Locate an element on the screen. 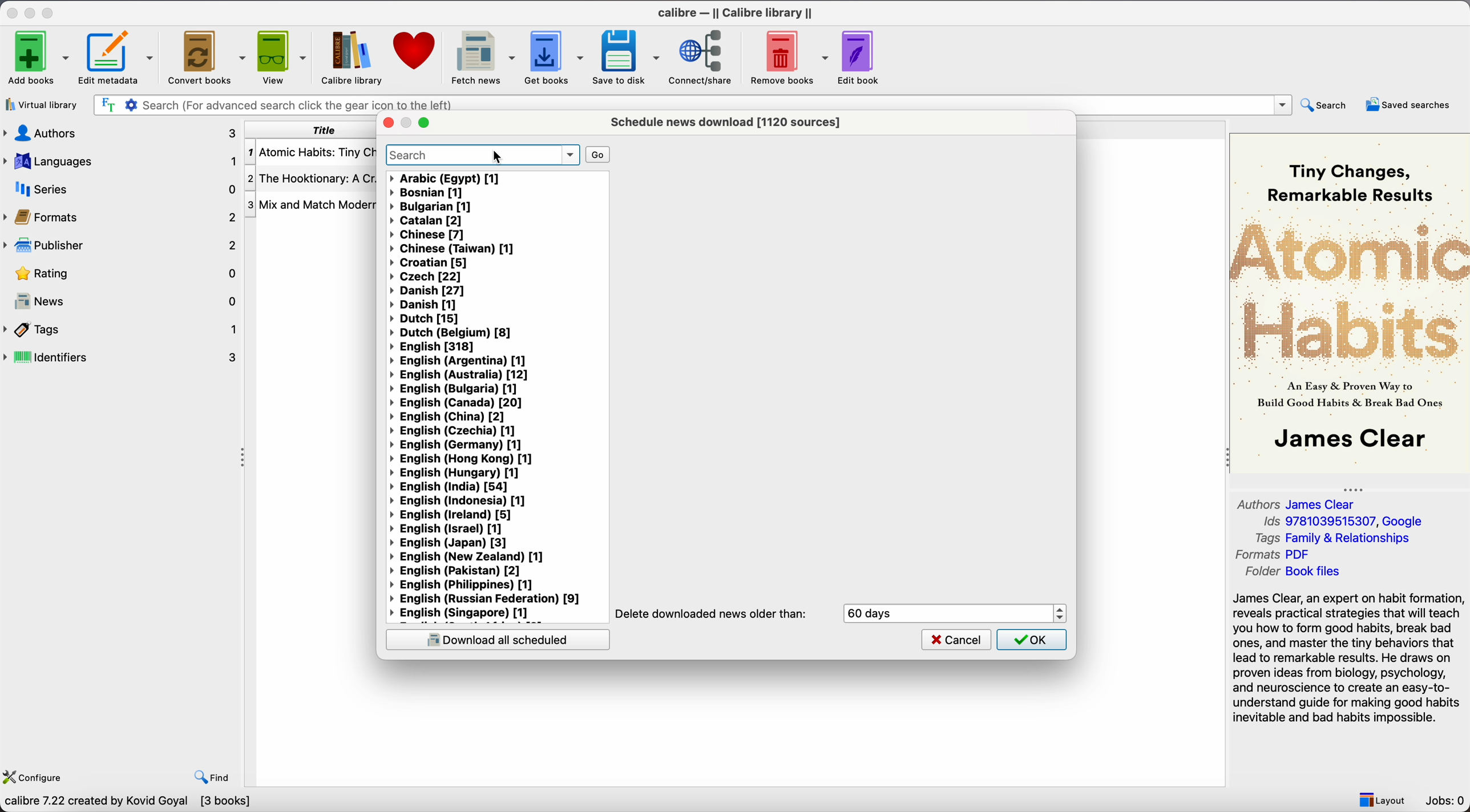 The image size is (1470, 812). Catalan [2] is located at coordinates (428, 220).